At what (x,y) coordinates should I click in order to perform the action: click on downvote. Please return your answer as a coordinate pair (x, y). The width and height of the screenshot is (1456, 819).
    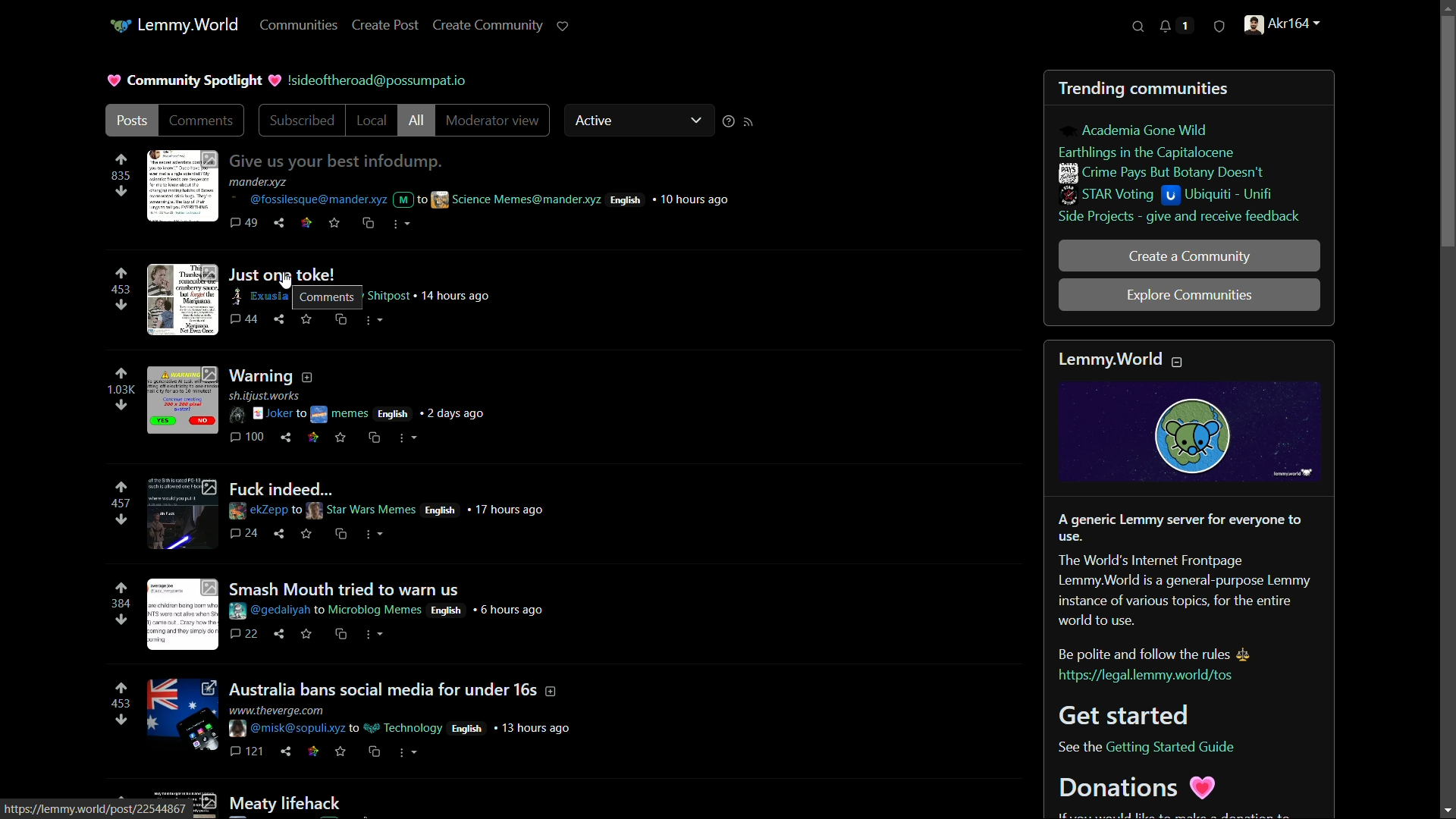
    Looking at the image, I should click on (121, 406).